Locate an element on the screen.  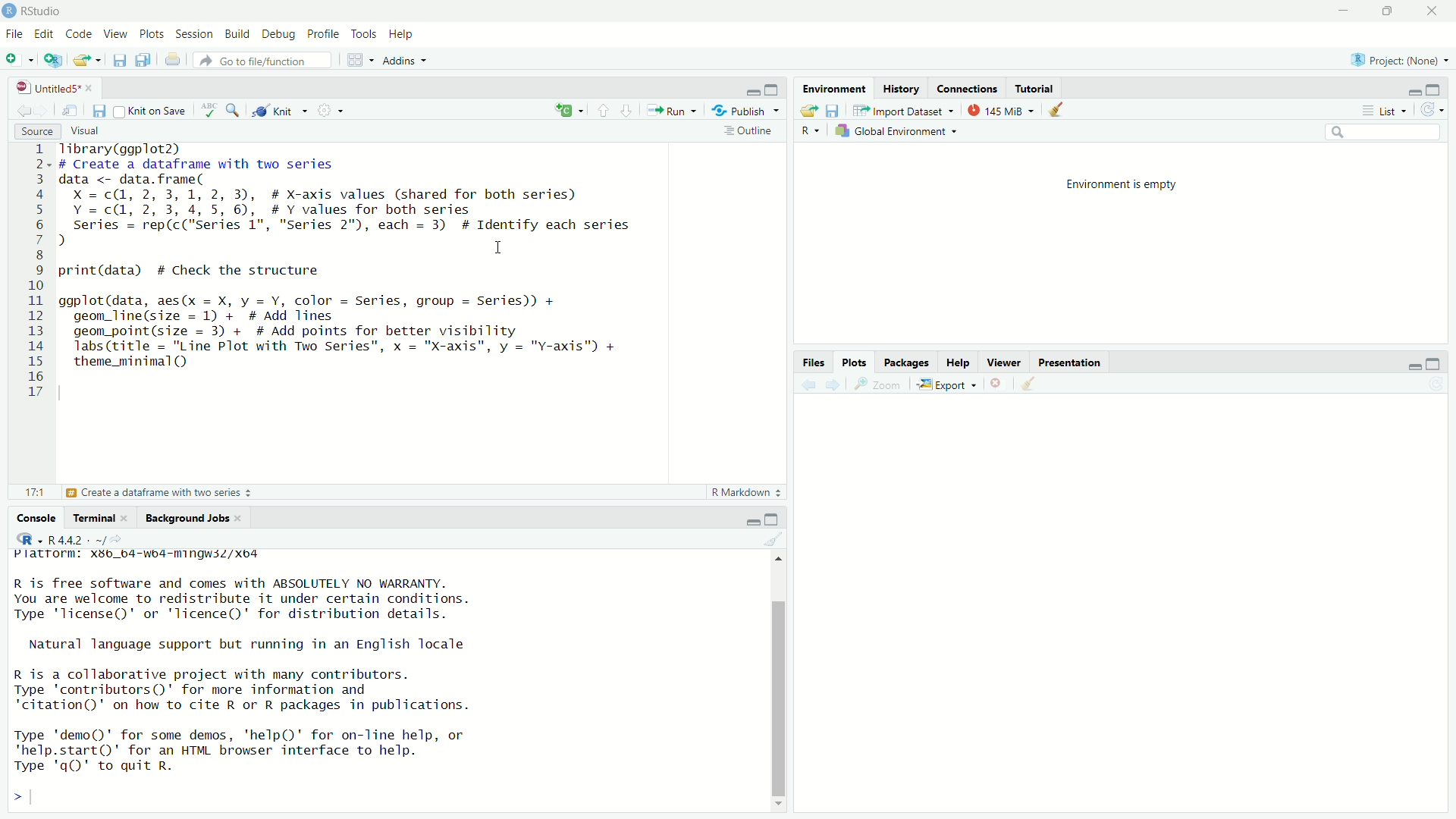
Build is located at coordinates (237, 36).